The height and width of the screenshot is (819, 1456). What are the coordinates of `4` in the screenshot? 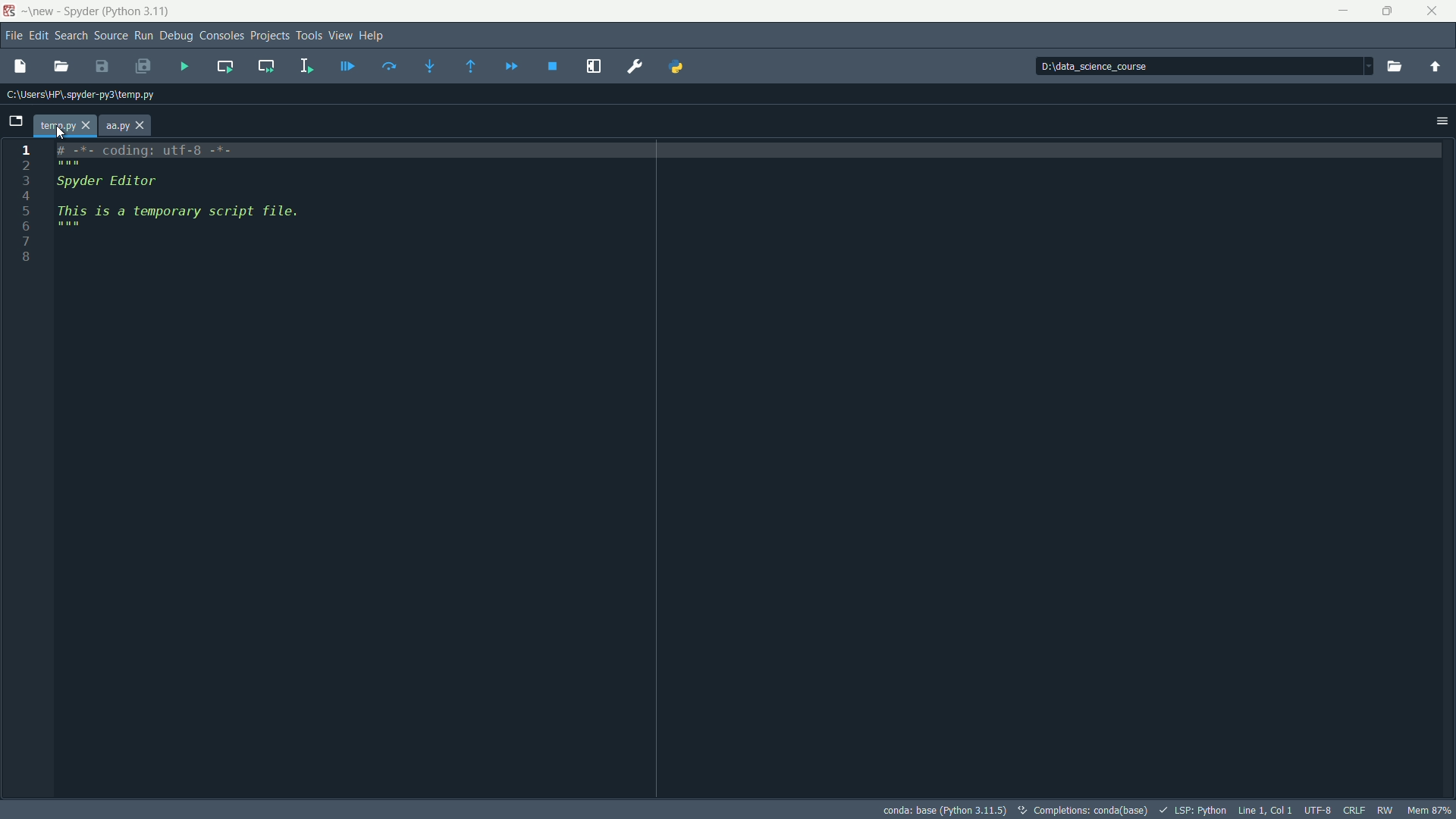 It's located at (71, 195).